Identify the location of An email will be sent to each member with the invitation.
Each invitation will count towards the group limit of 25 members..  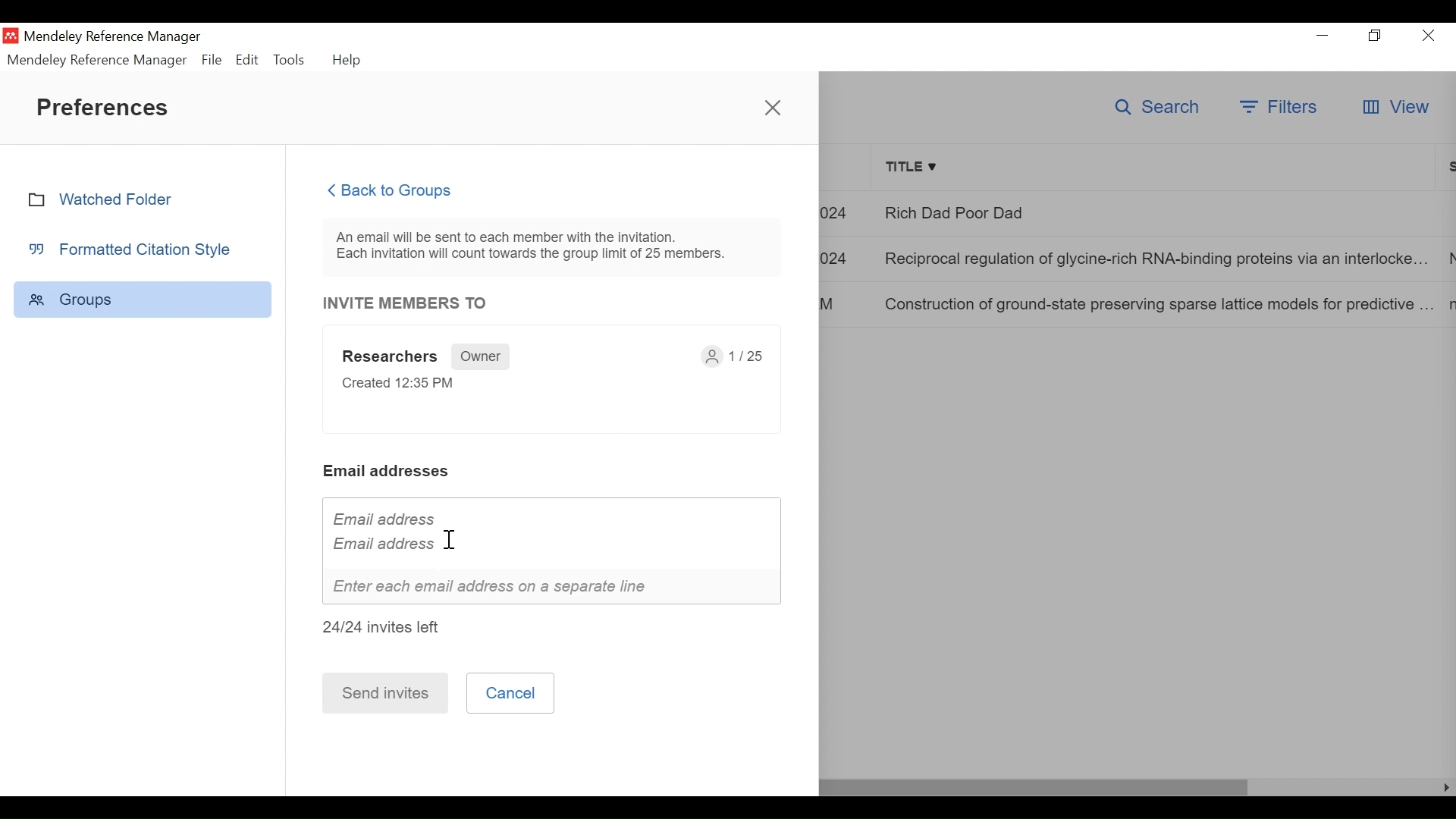
(538, 247).